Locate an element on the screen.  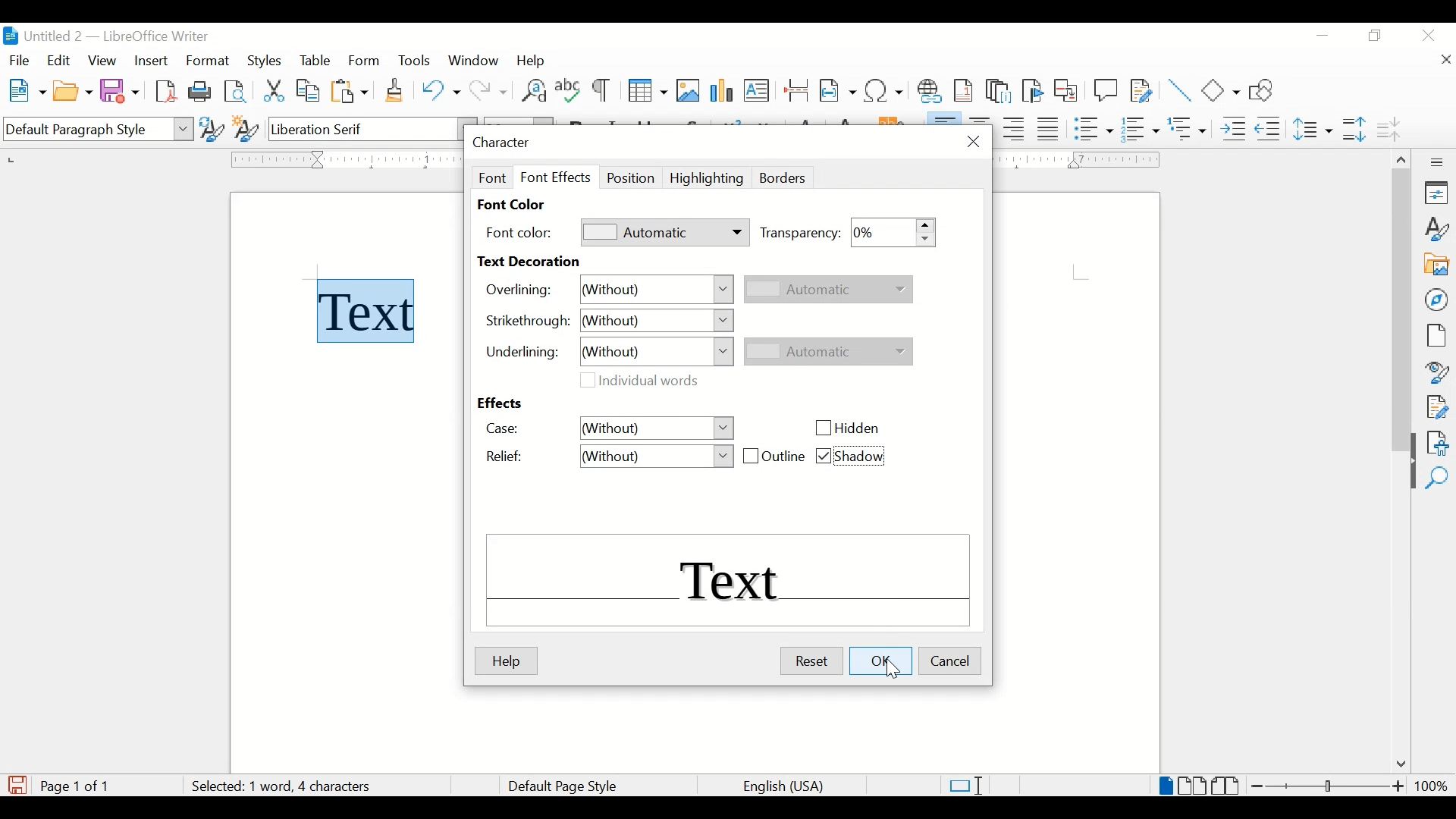
toggle formatting marks is located at coordinates (603, 92).